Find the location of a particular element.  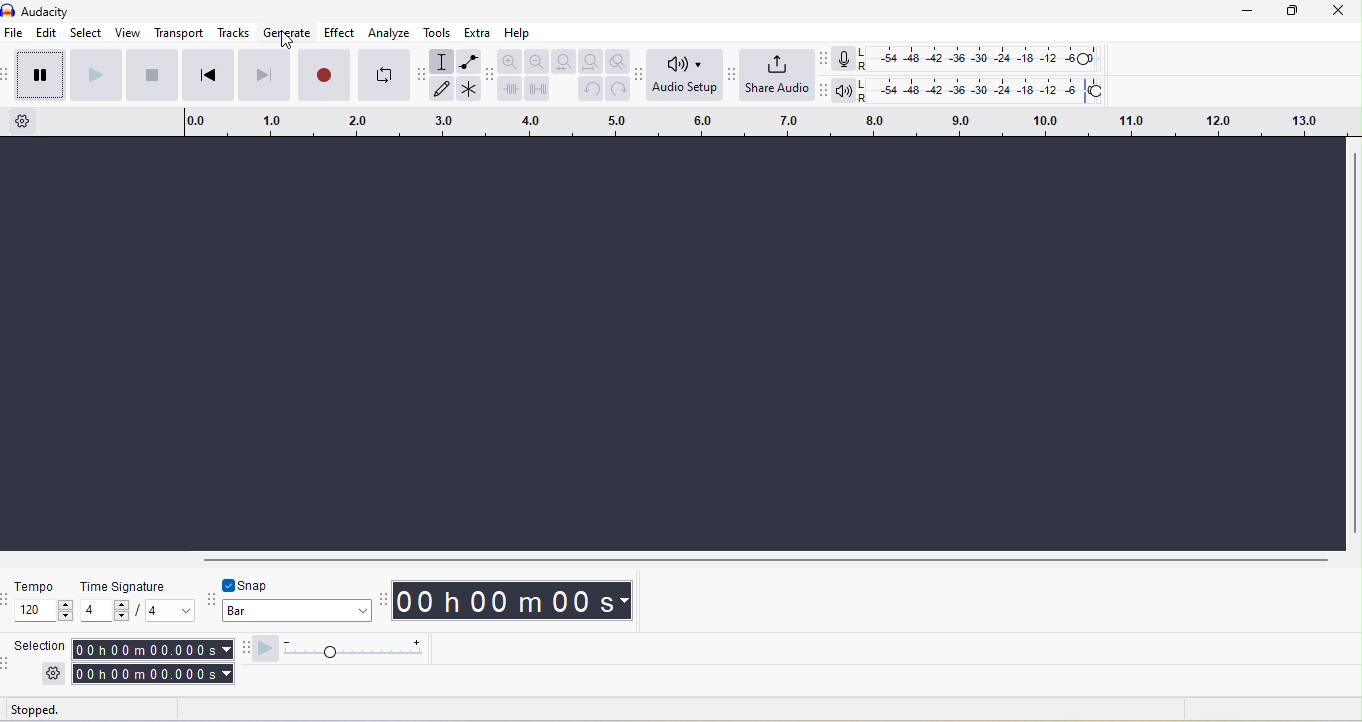

00 h 00 m 00 s is located at coordinates (517, 602).